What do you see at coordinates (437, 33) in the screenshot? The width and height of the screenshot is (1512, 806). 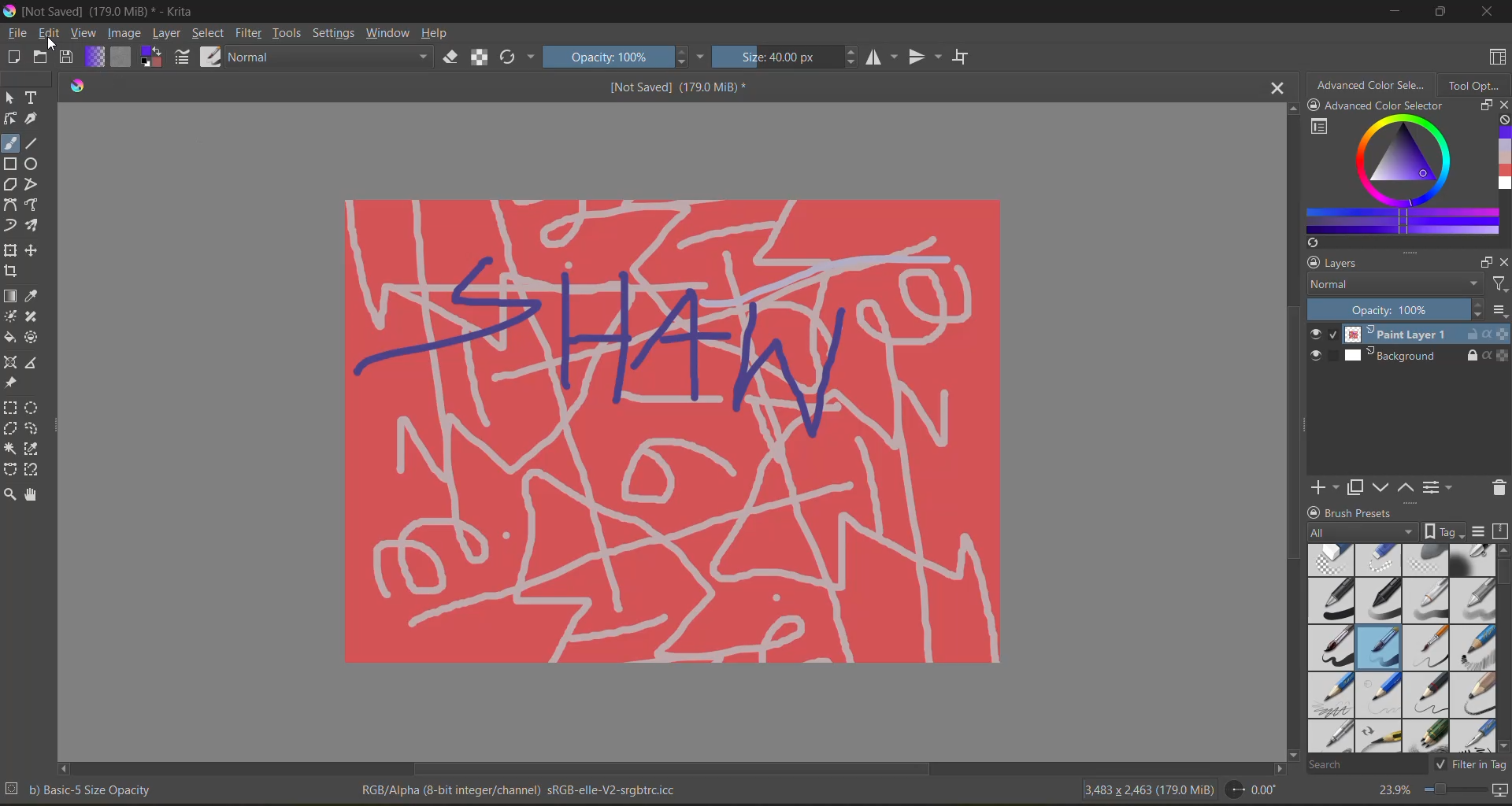 I see `help` at bounding box center [437, 33].